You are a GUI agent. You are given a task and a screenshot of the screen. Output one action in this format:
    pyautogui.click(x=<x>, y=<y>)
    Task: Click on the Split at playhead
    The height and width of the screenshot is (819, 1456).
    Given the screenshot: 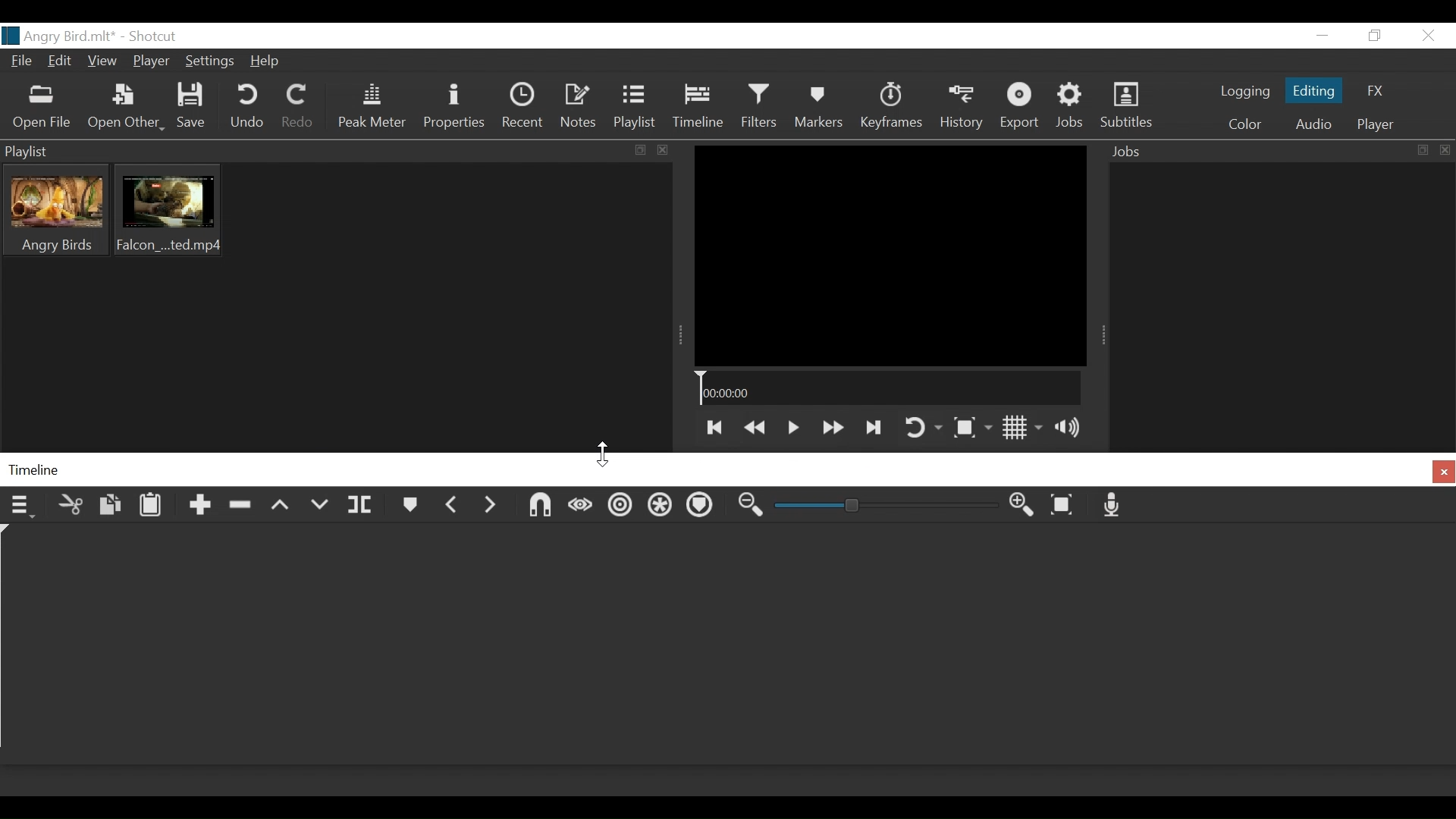 What is the action you would take?
    pyautogui.click(x=362, y=508)
    